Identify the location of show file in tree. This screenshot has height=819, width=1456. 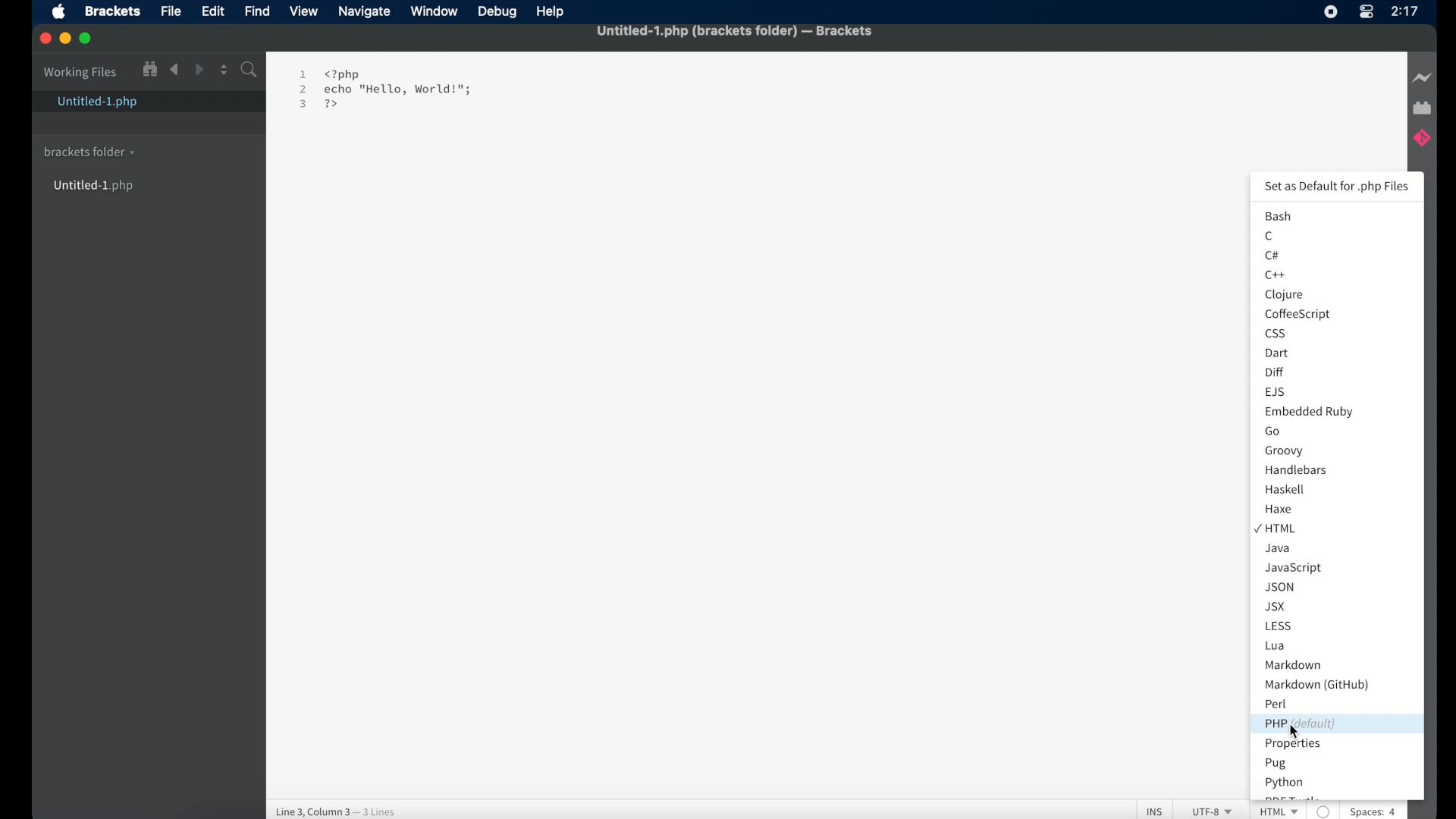
(150, 69).